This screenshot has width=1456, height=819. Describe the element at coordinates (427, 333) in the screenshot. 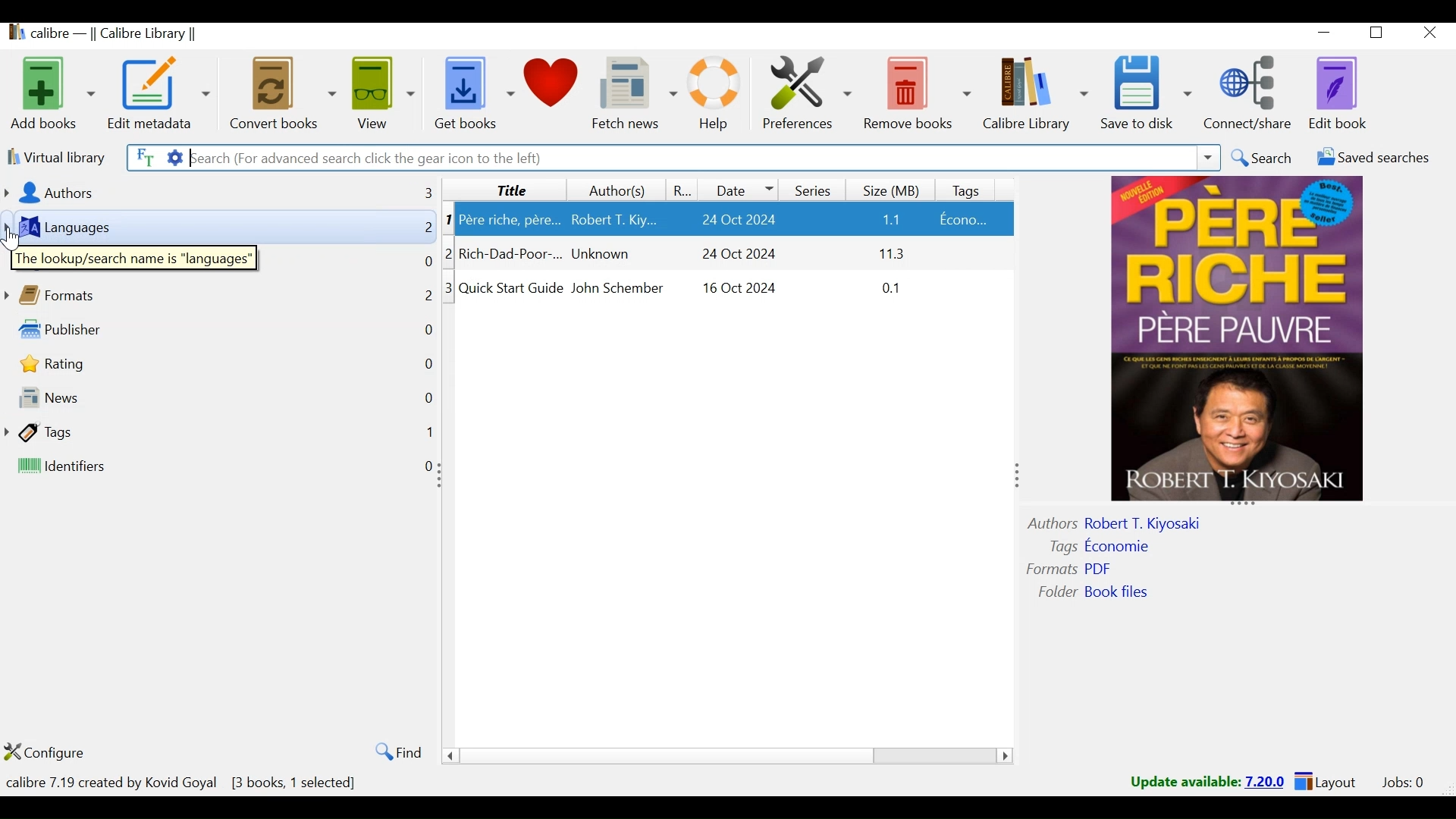

I see `0` at that location.